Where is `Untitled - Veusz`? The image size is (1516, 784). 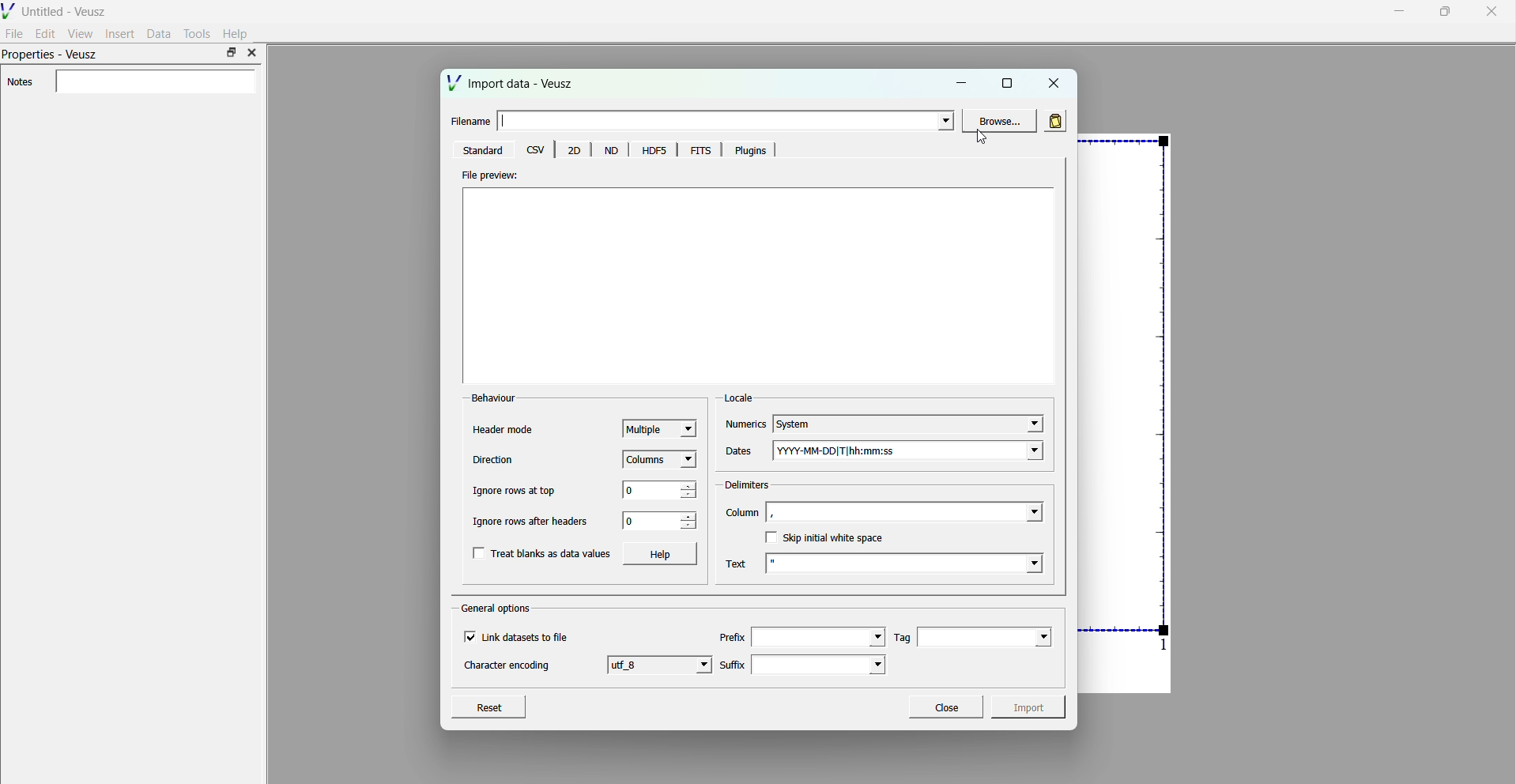 Untitled - Veusz is located at coordinates (57, 9).